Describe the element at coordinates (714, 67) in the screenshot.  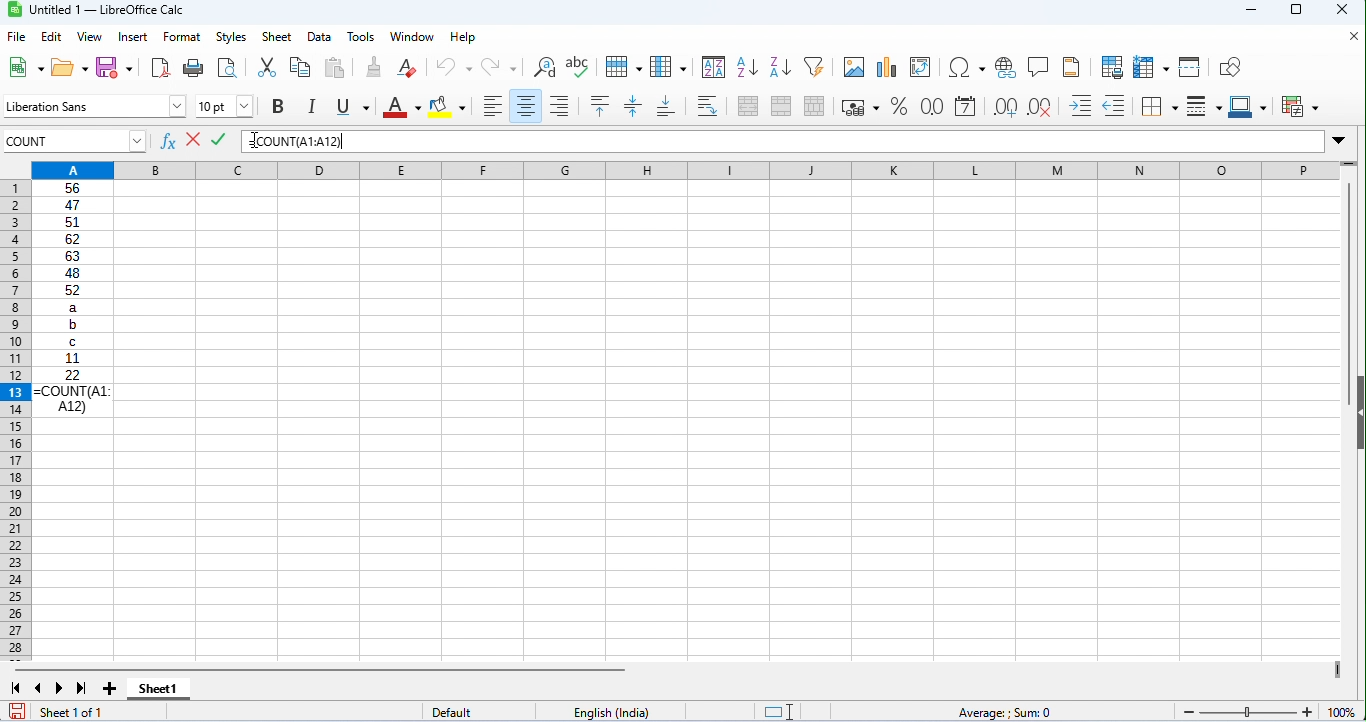
I see `sort` at that location.